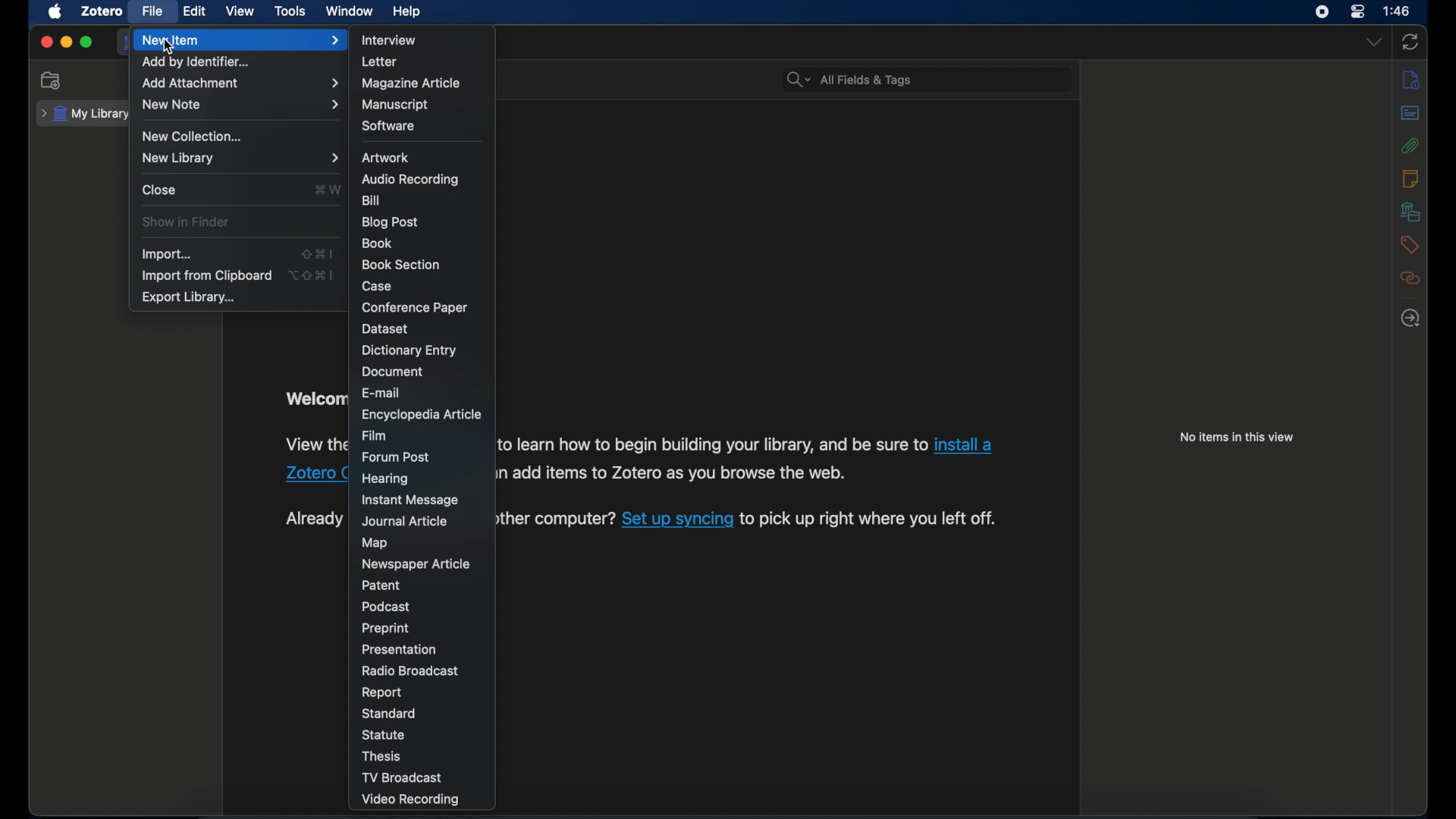 This screenshot has width=1456, height=819. Describe the element at coordinates (1323, 12) in the screenshot. I see `screen recorder` at that location.